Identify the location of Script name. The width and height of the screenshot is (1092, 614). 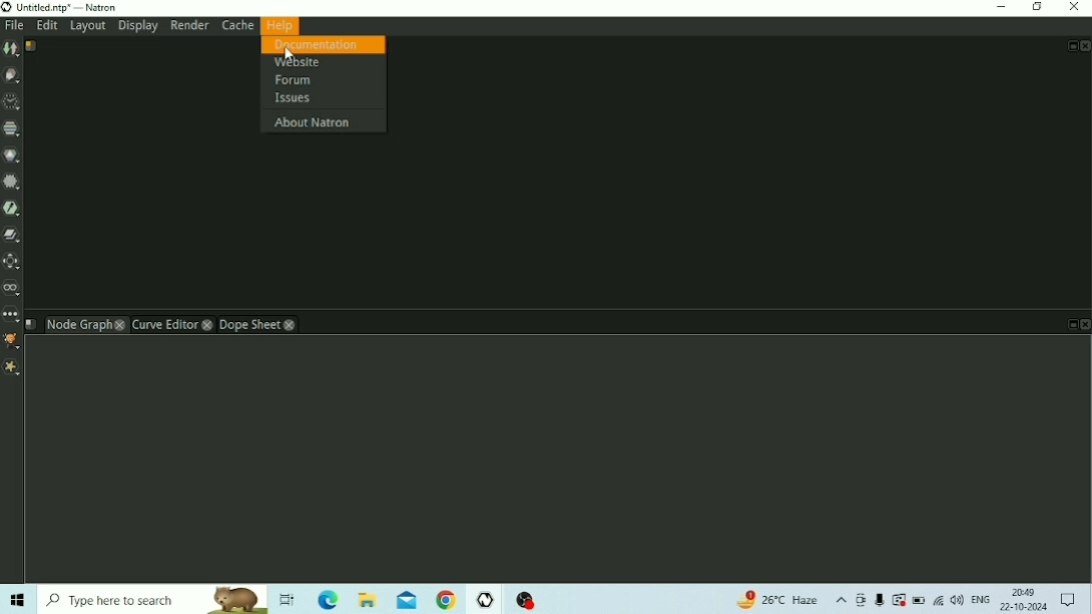
(31, 46).